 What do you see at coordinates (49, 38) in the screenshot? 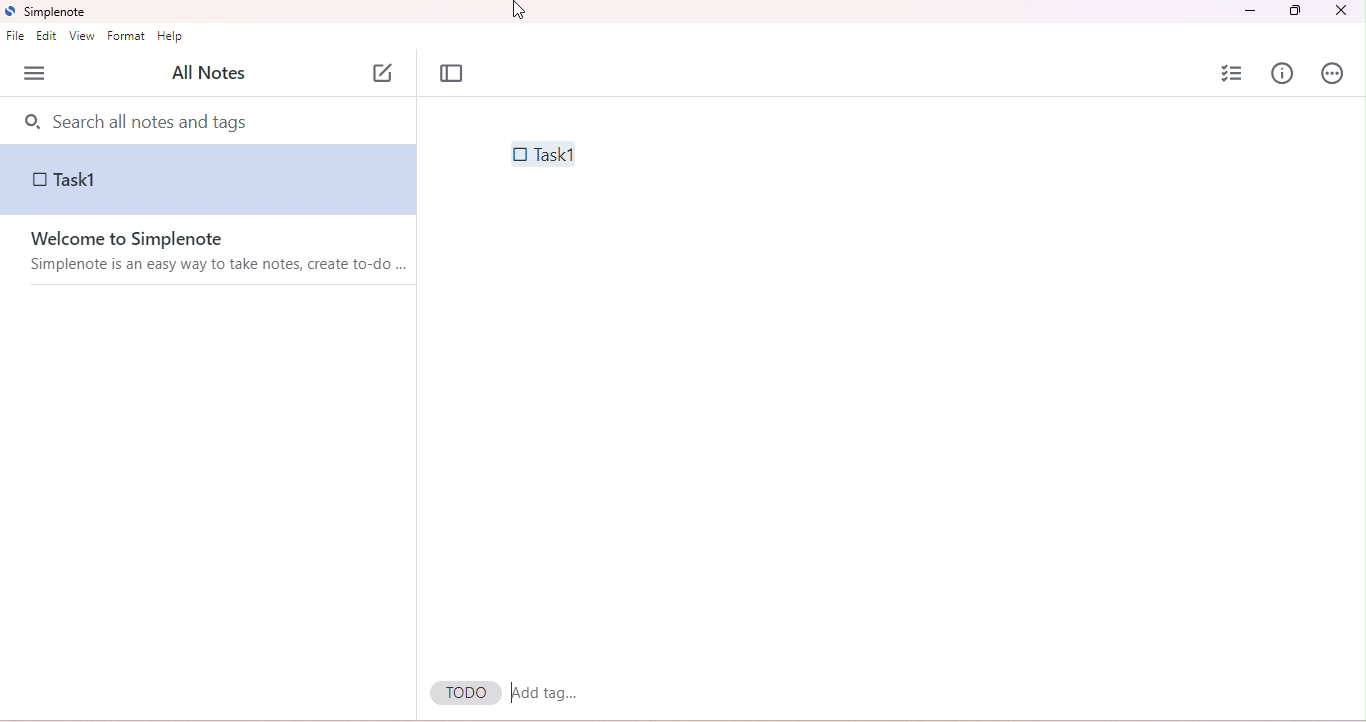
I see `edit` at bounding box center [49, 38].